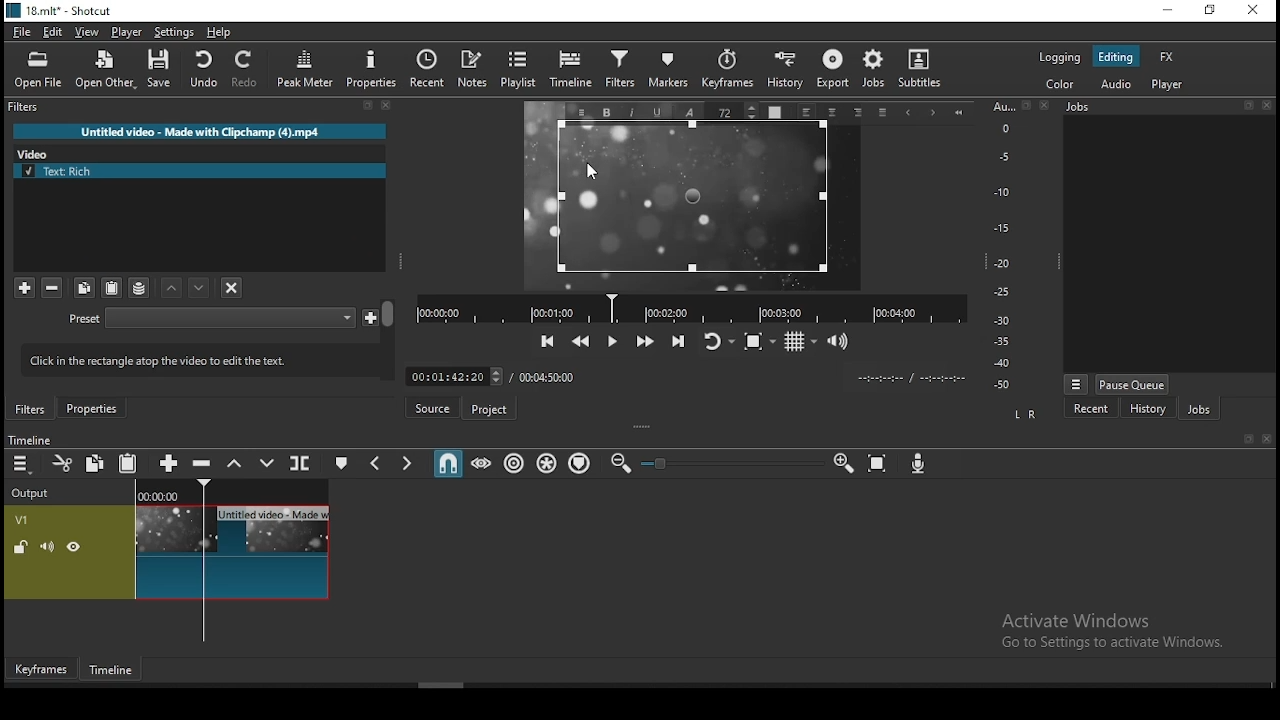  I want to click on move filter down, so click(173, 288).